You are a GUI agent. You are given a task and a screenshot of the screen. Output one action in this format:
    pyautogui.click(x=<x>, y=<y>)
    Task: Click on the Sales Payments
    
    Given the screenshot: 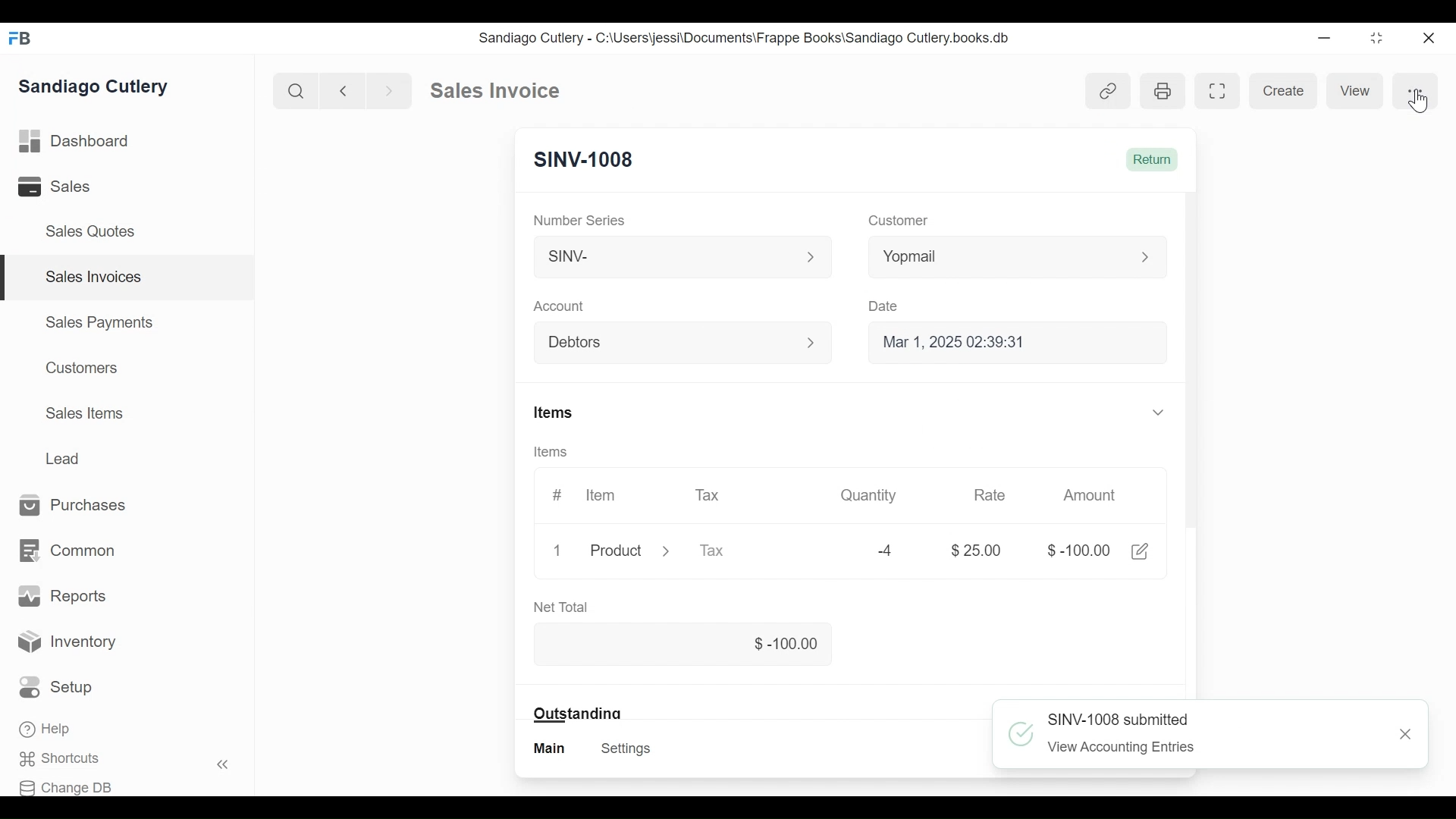 What is the action you would take?
    pyautogui.click(x=99, y=322)
    